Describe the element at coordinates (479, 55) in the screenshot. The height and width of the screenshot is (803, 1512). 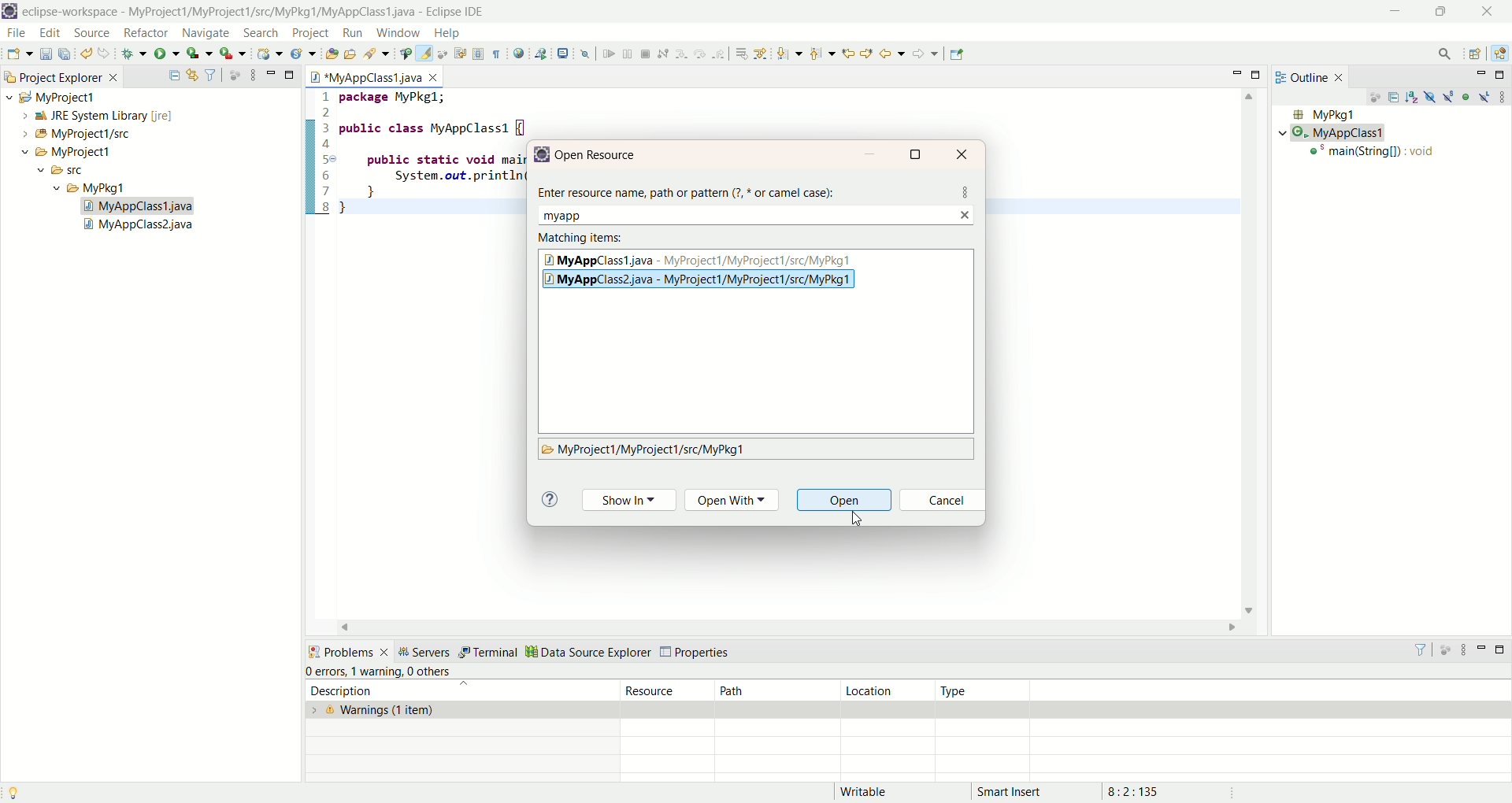
I see `toggle block selection mode` at that location.